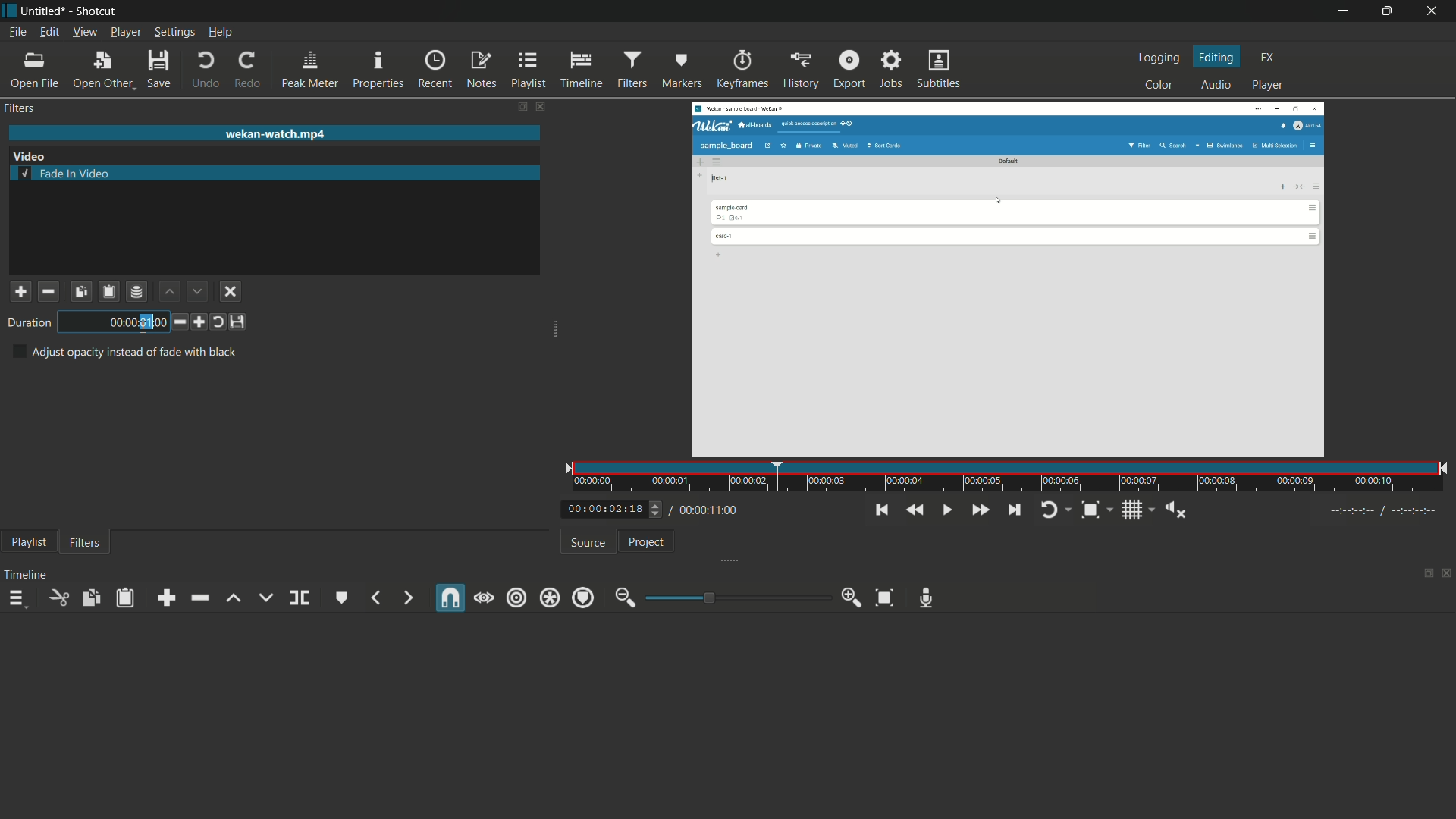  I want to click on current time, so click(599, 510).